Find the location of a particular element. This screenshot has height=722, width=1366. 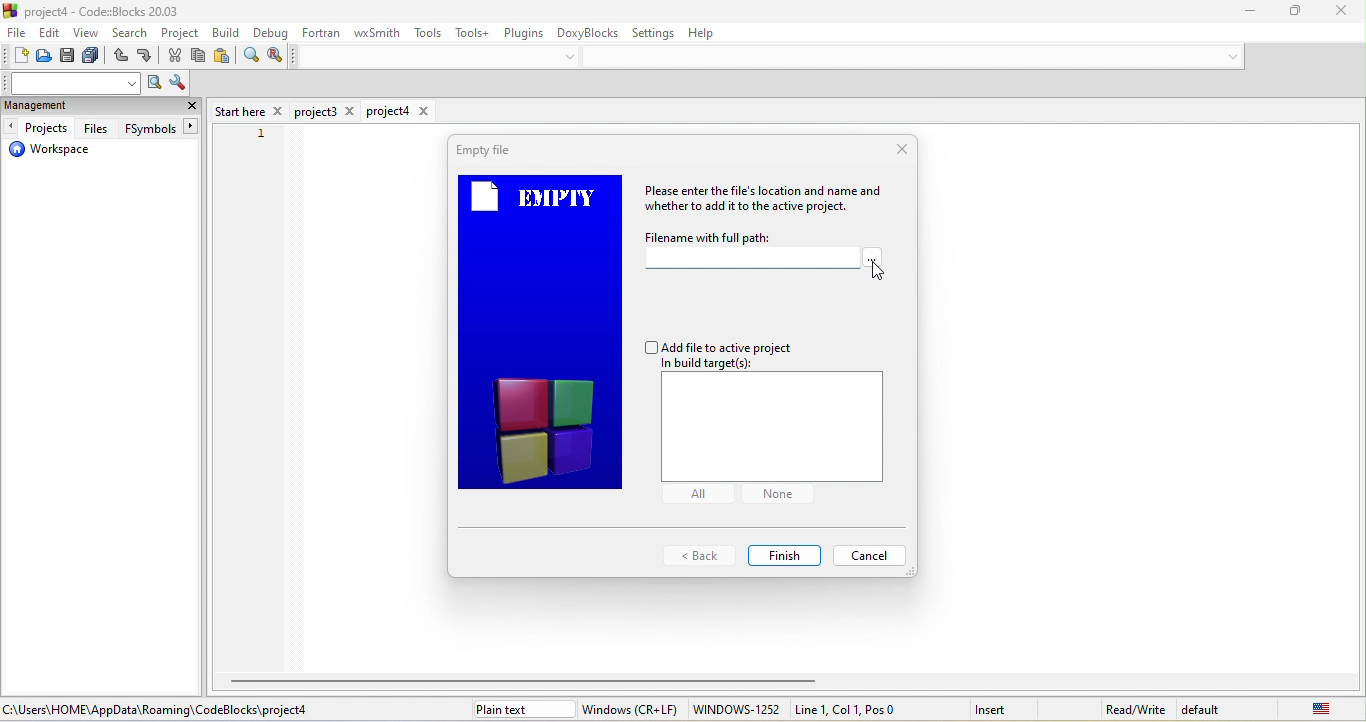

close is located at coordinates (192, 108).